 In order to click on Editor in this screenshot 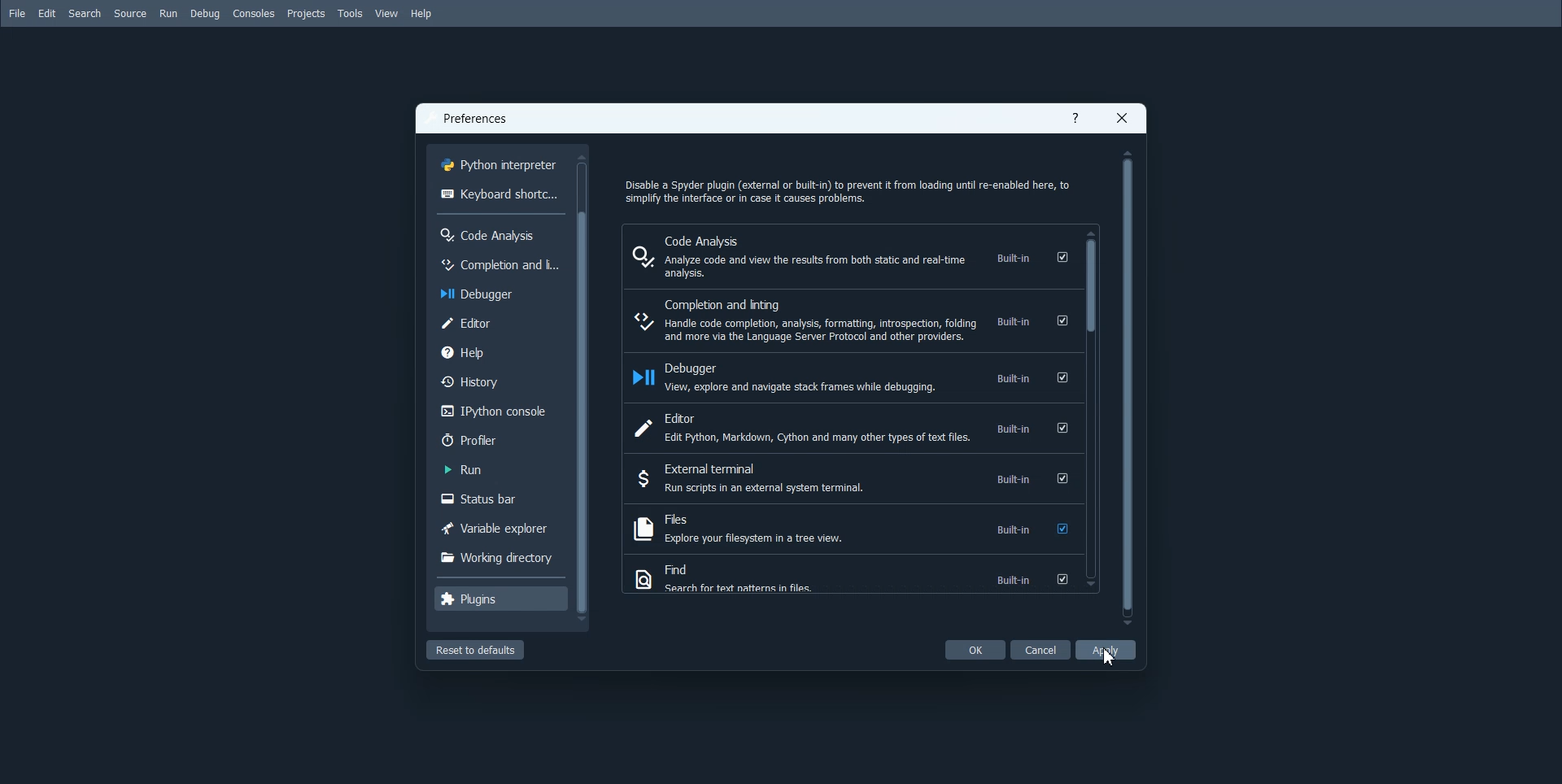, I will do `click(499, 322)`.